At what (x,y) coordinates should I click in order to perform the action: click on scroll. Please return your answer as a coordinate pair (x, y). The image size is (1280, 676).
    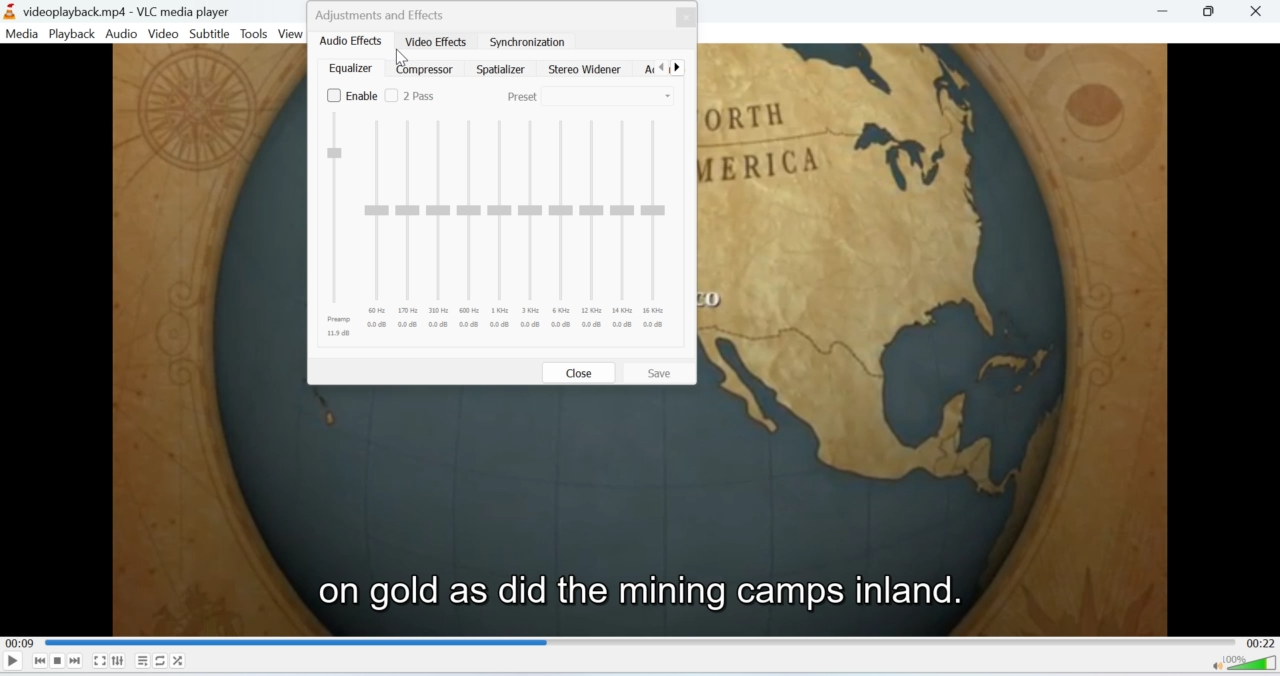
    Looking at the image, I should click on (669, 66).